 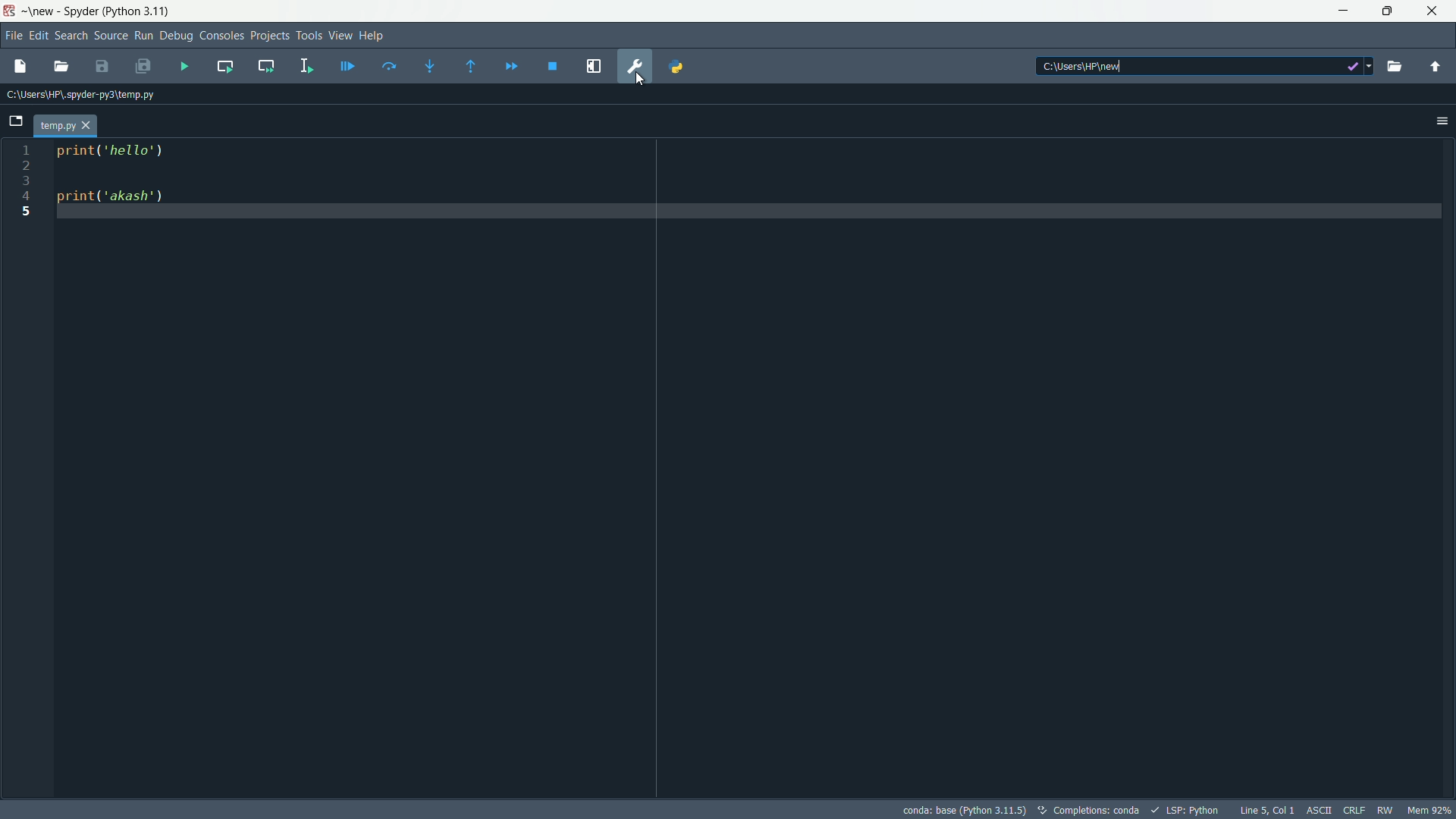 What do you see at coordinates (1384, 810) in the screenshot?
I see `RW` at bounding box center [1384, 810].